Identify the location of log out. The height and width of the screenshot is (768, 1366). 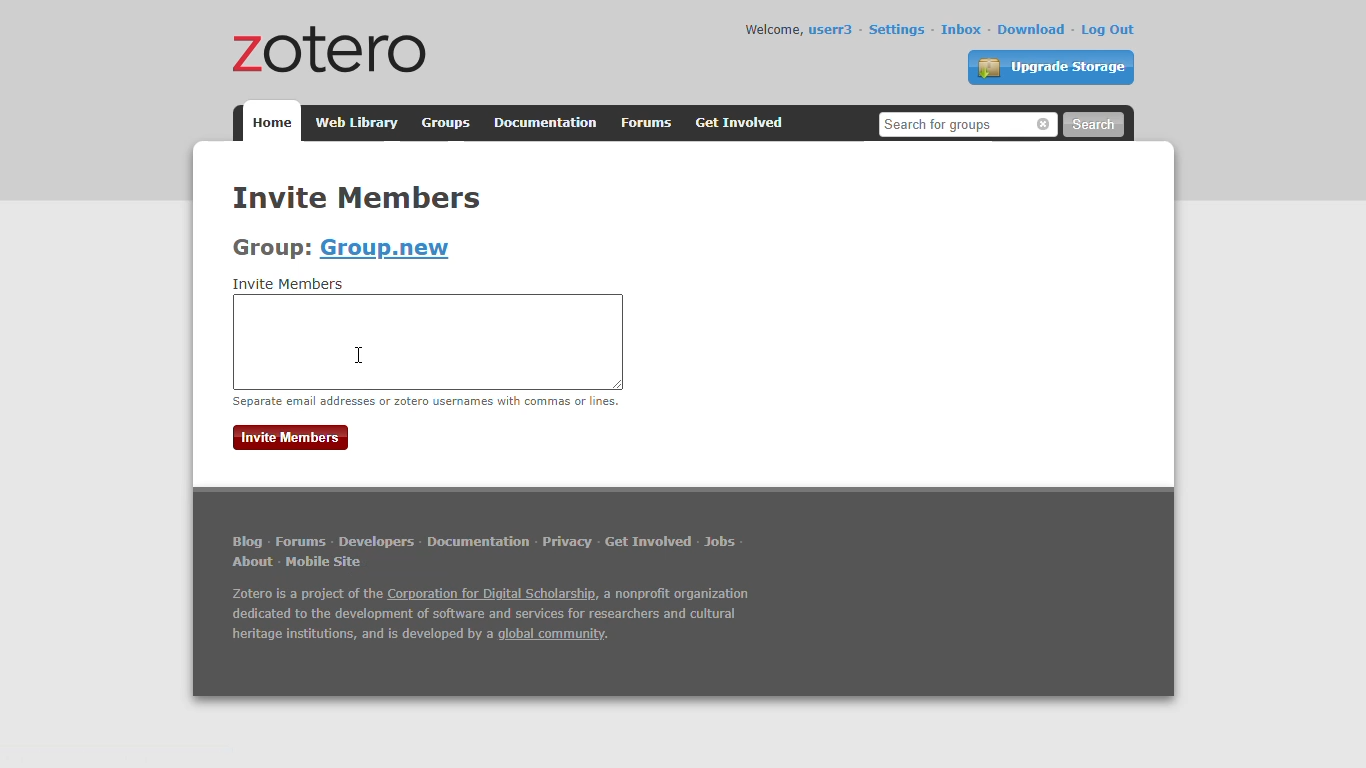
(1108, 30).